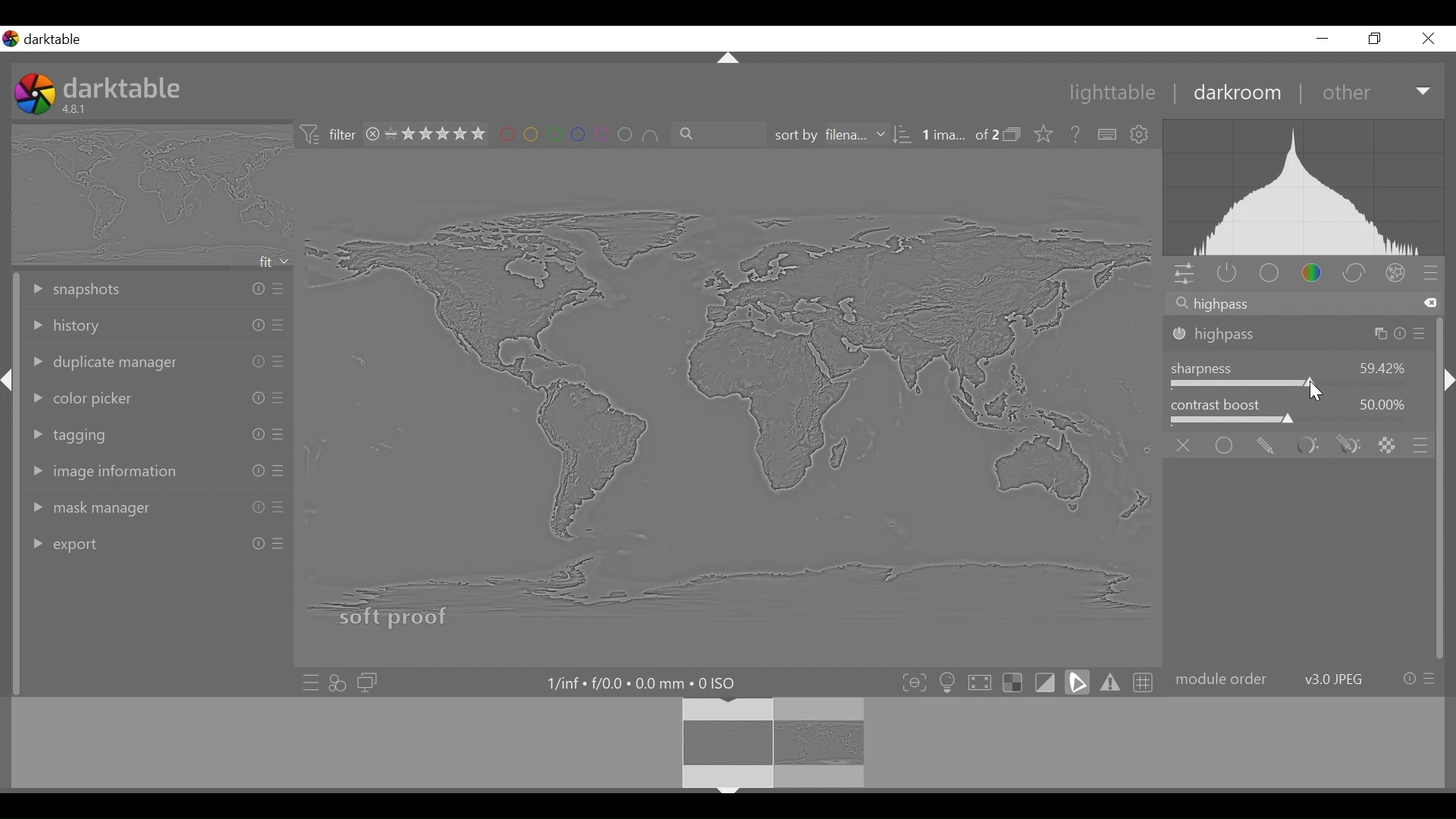 The image size is (1456, 819). I want to click on correct, so click(1354, 272).